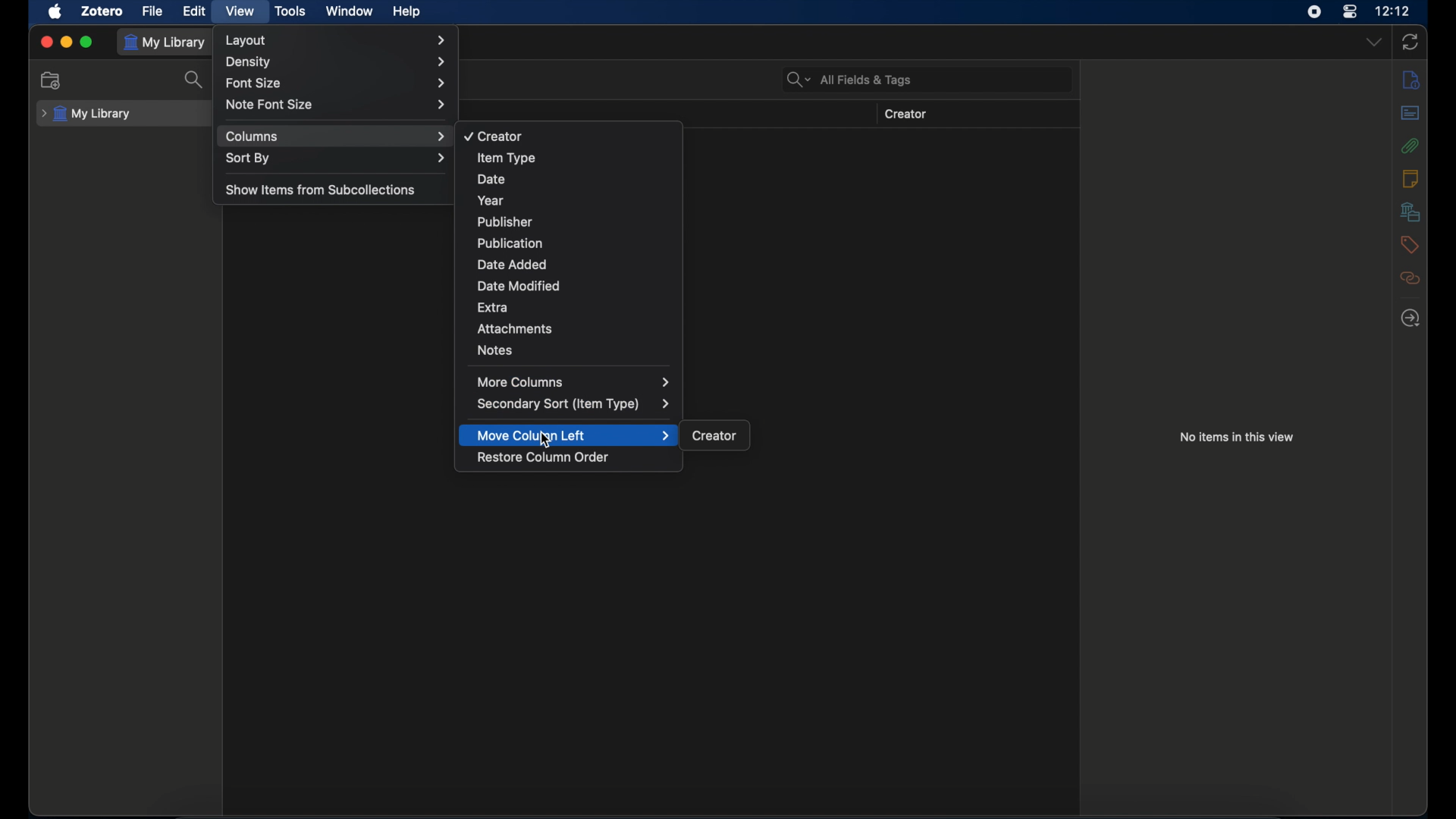 Image resolution: width=1456 pixels, height=819 pixels. What do you see at coordinates (323, 189) in the screenshot?
I see `show item from subcollections` at bounding box center [323, 189].